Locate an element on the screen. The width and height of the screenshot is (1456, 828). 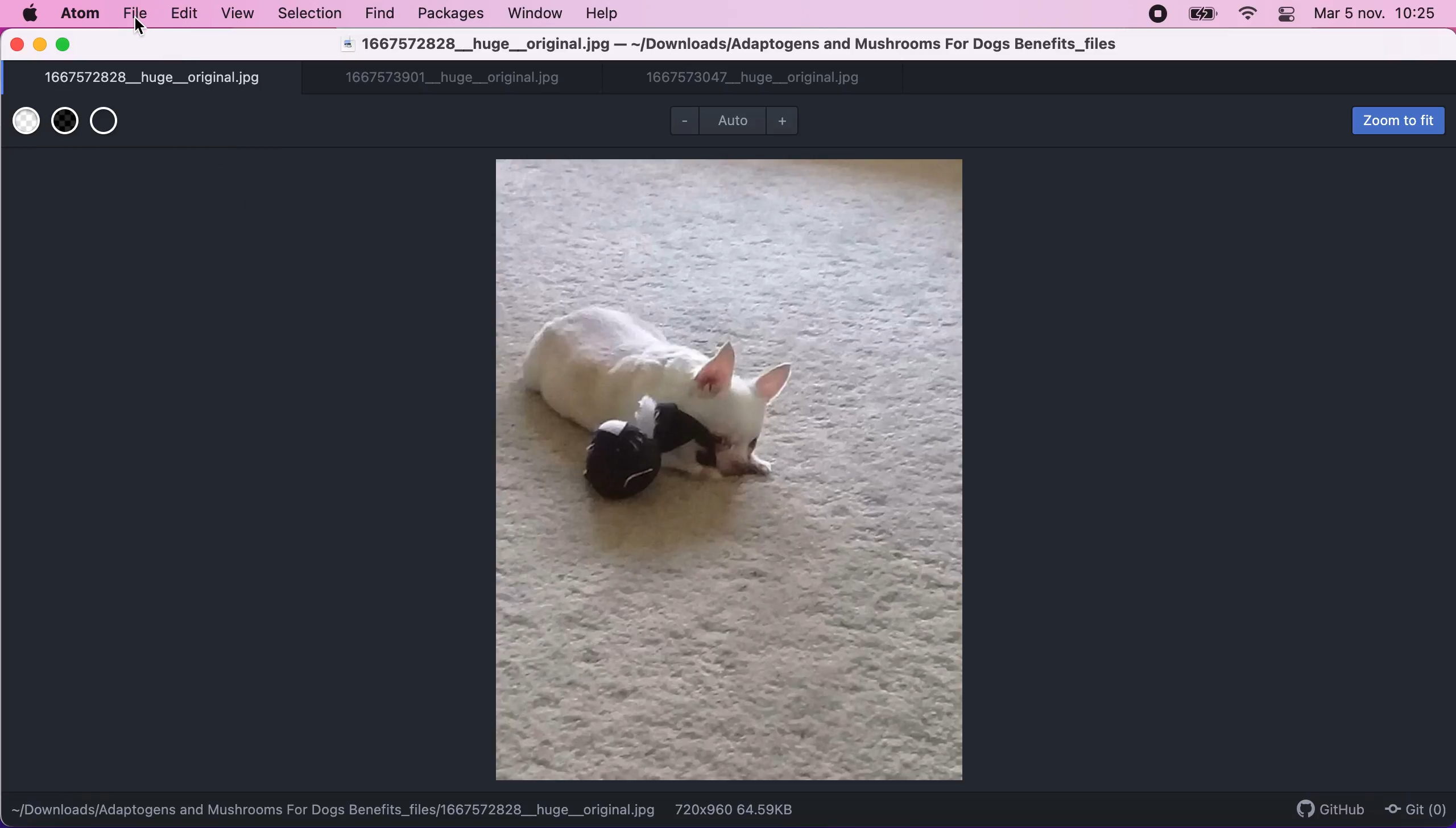
close is located at coordinates (17, 45).